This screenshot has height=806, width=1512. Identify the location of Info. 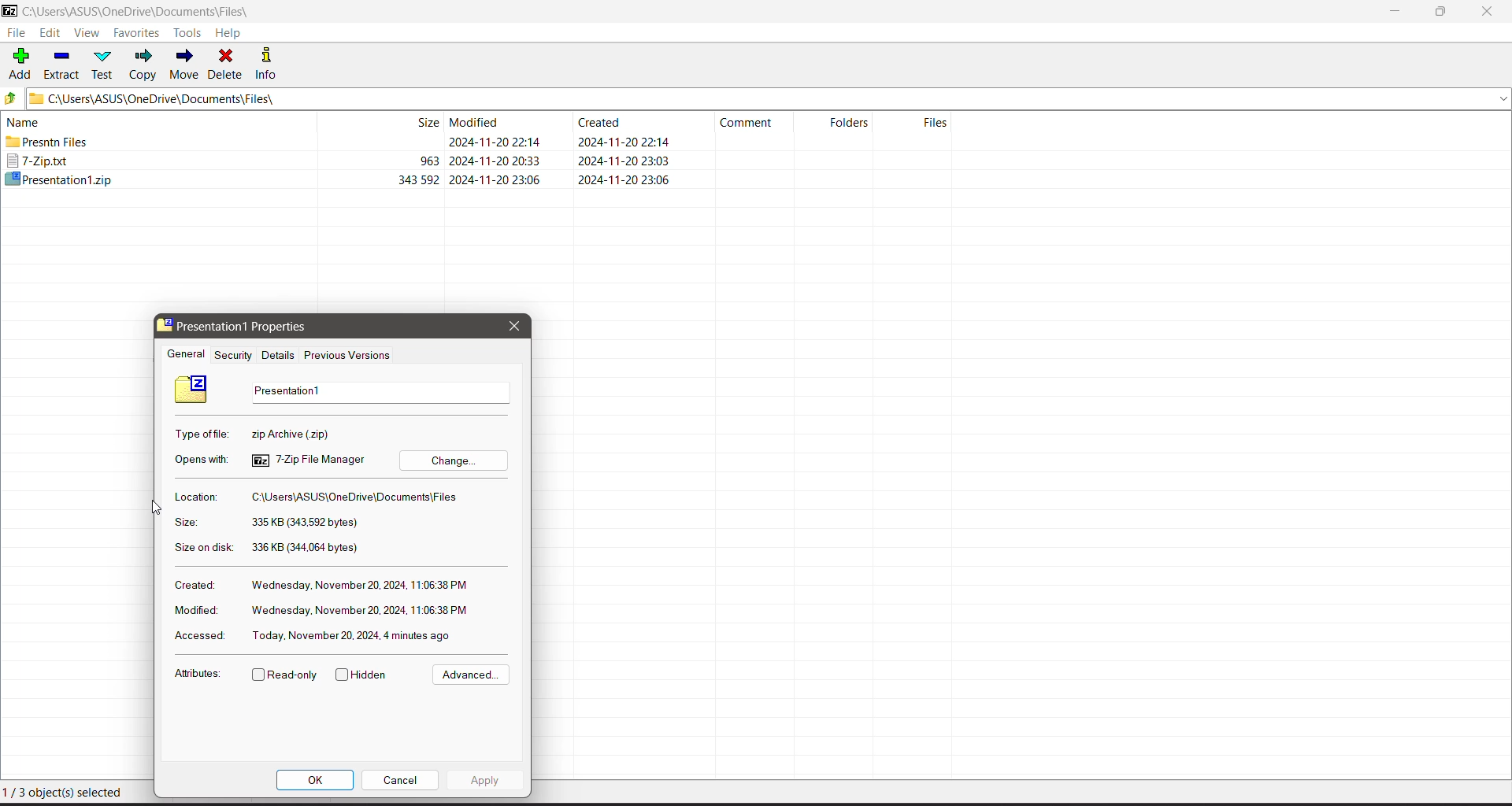
(272, 63).